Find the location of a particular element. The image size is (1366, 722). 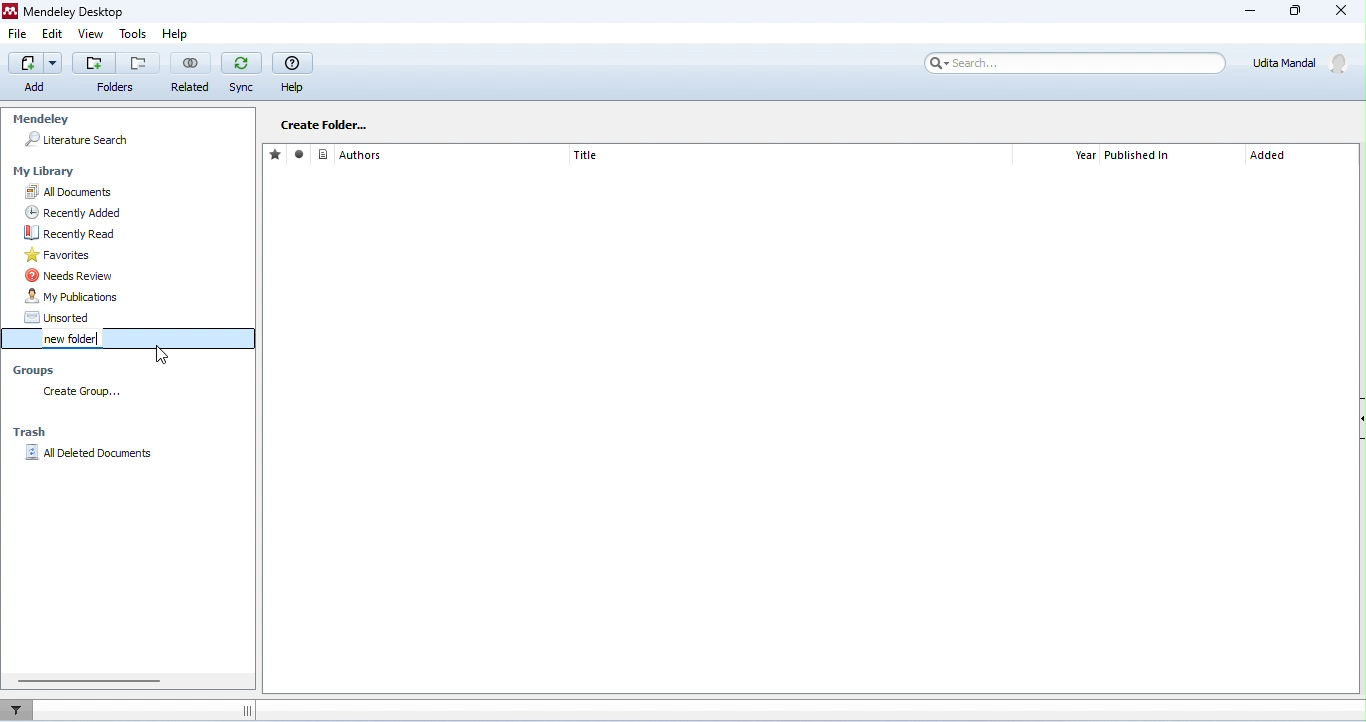

needs review is located at coordinates (138, 275).